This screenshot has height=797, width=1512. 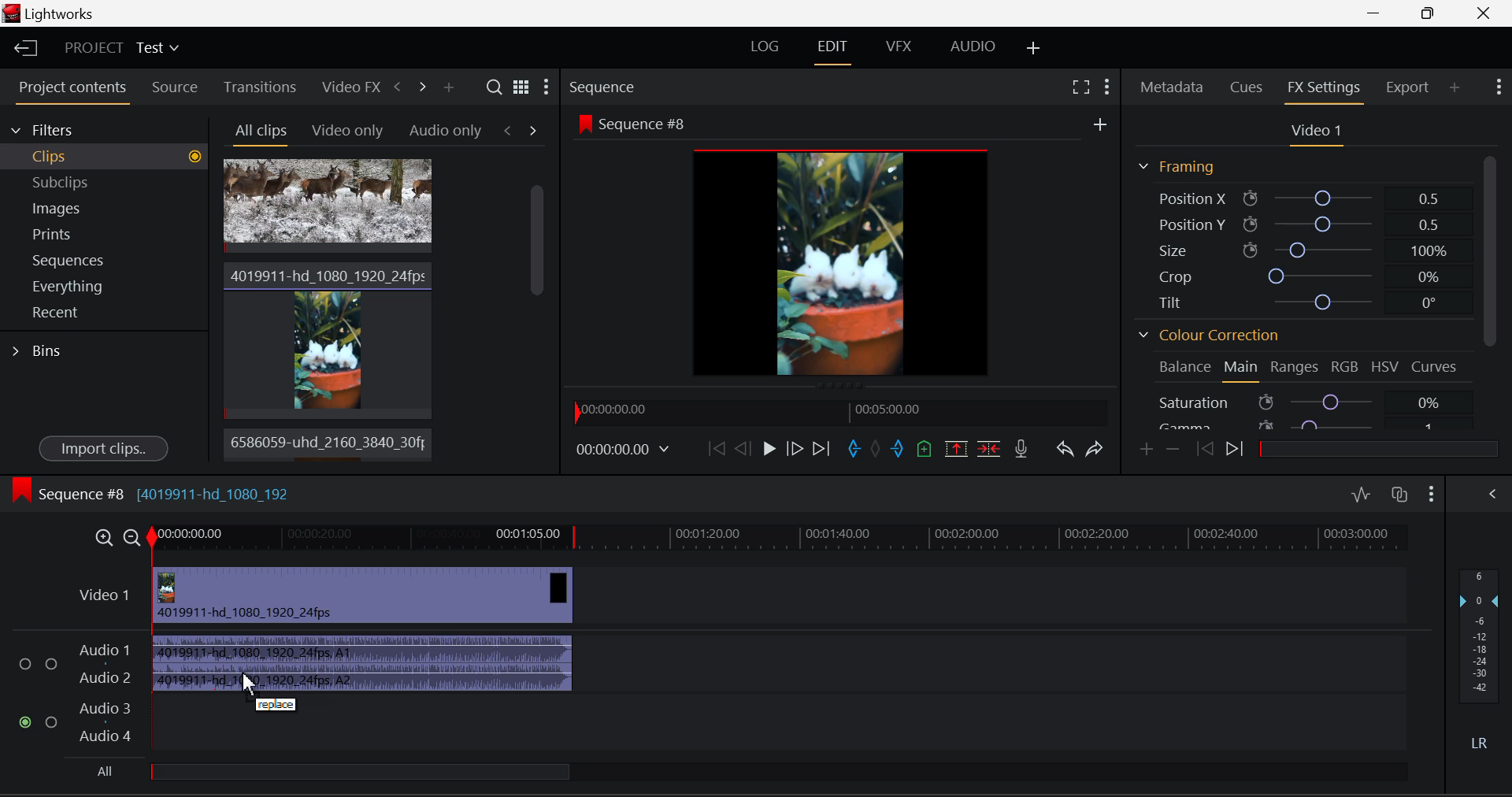 I want to click on Show Audio Mix, so click(x=1492, y=492).